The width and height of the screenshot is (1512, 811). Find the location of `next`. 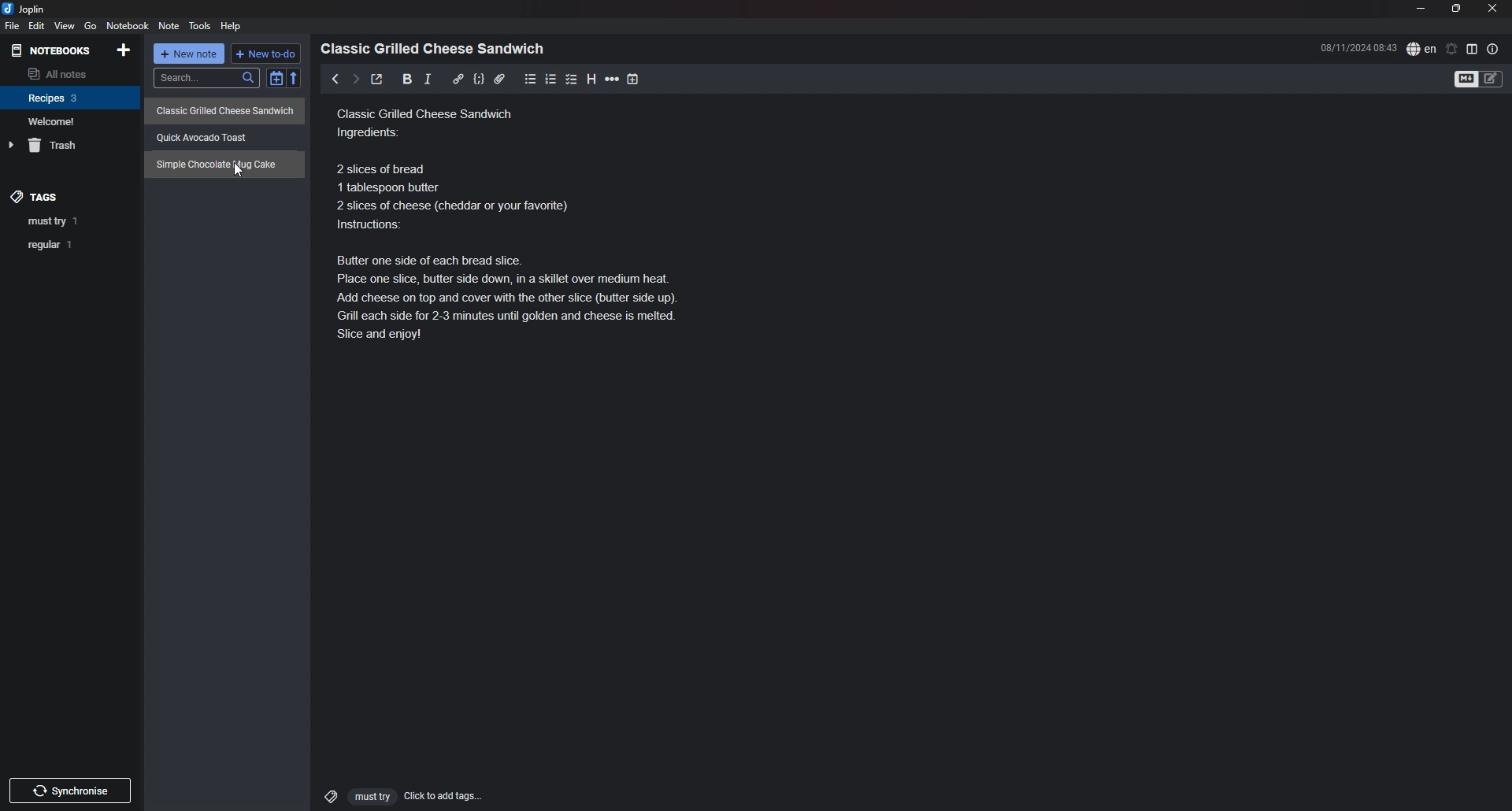

next is located at coordinates (354, 79).